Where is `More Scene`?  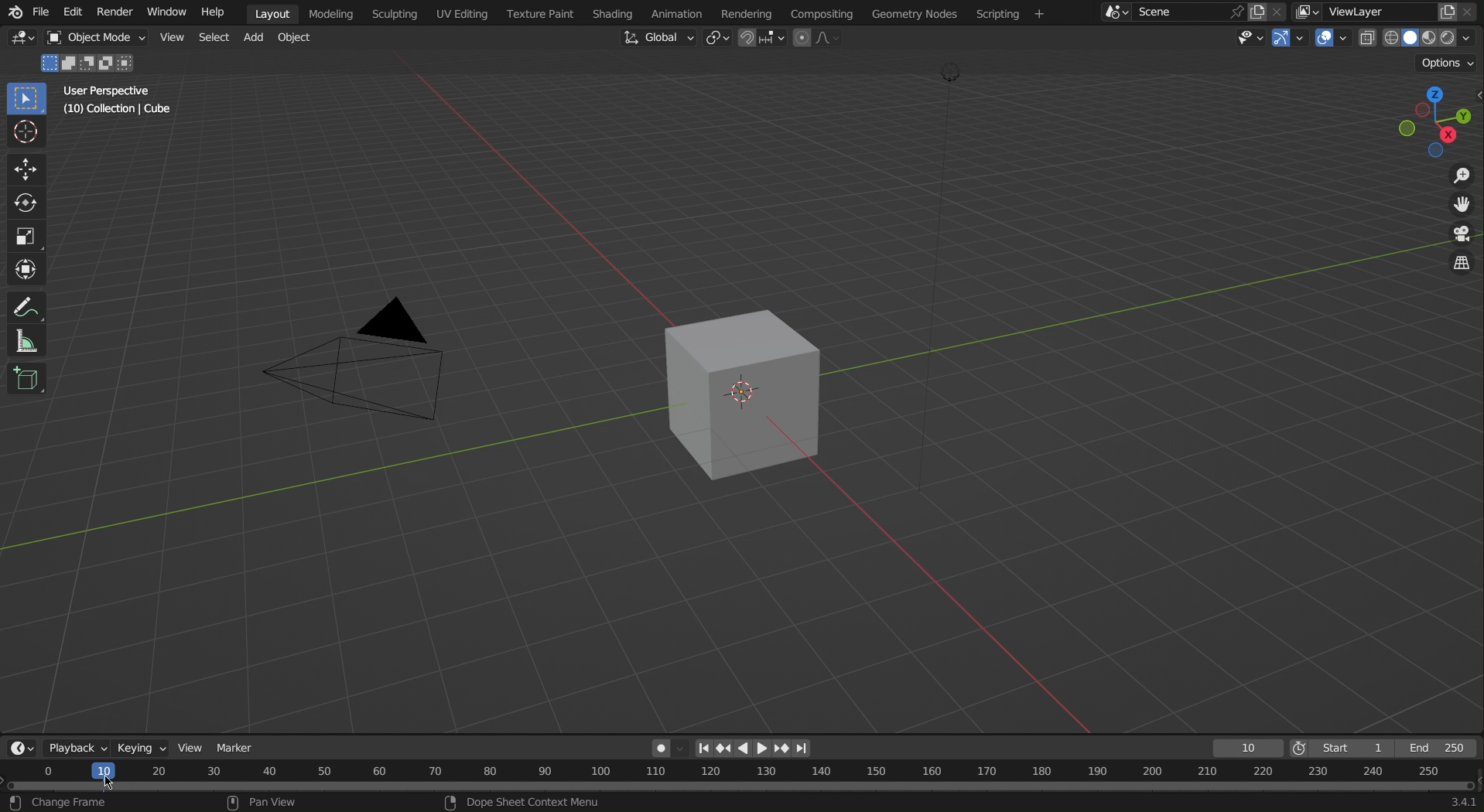
More Scene is located at coordinates (1112, 12).